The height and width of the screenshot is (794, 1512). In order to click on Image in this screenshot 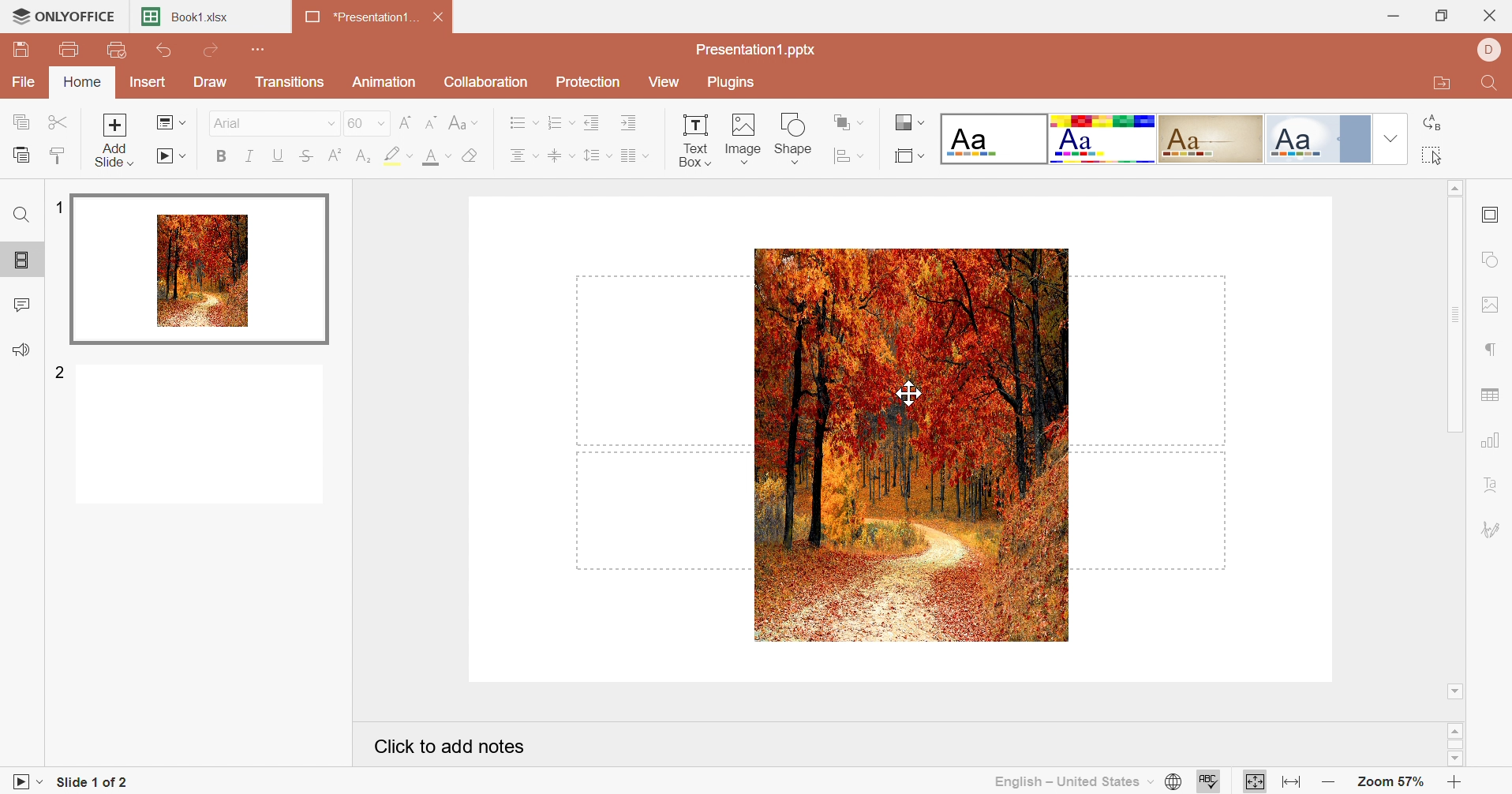, I will do `click(743, 137)`.